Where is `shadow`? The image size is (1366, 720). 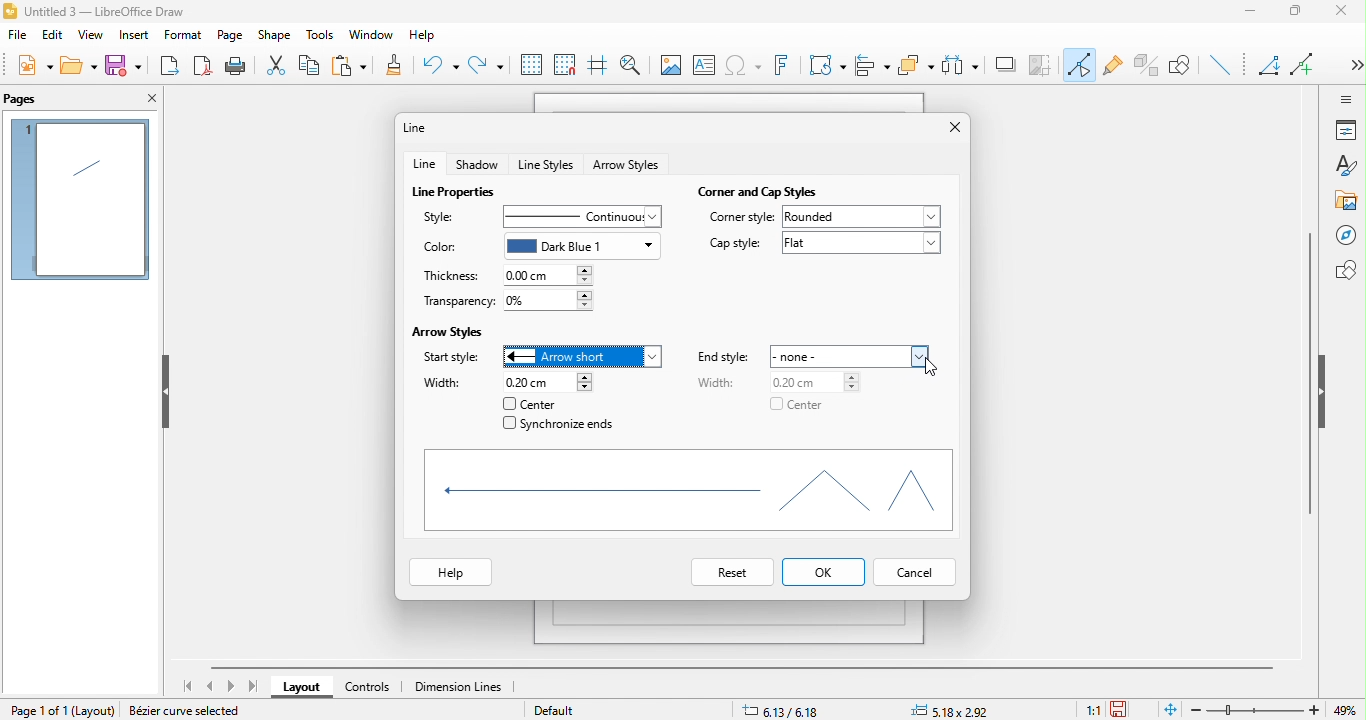 shadow is located at coordinates (479, 163).